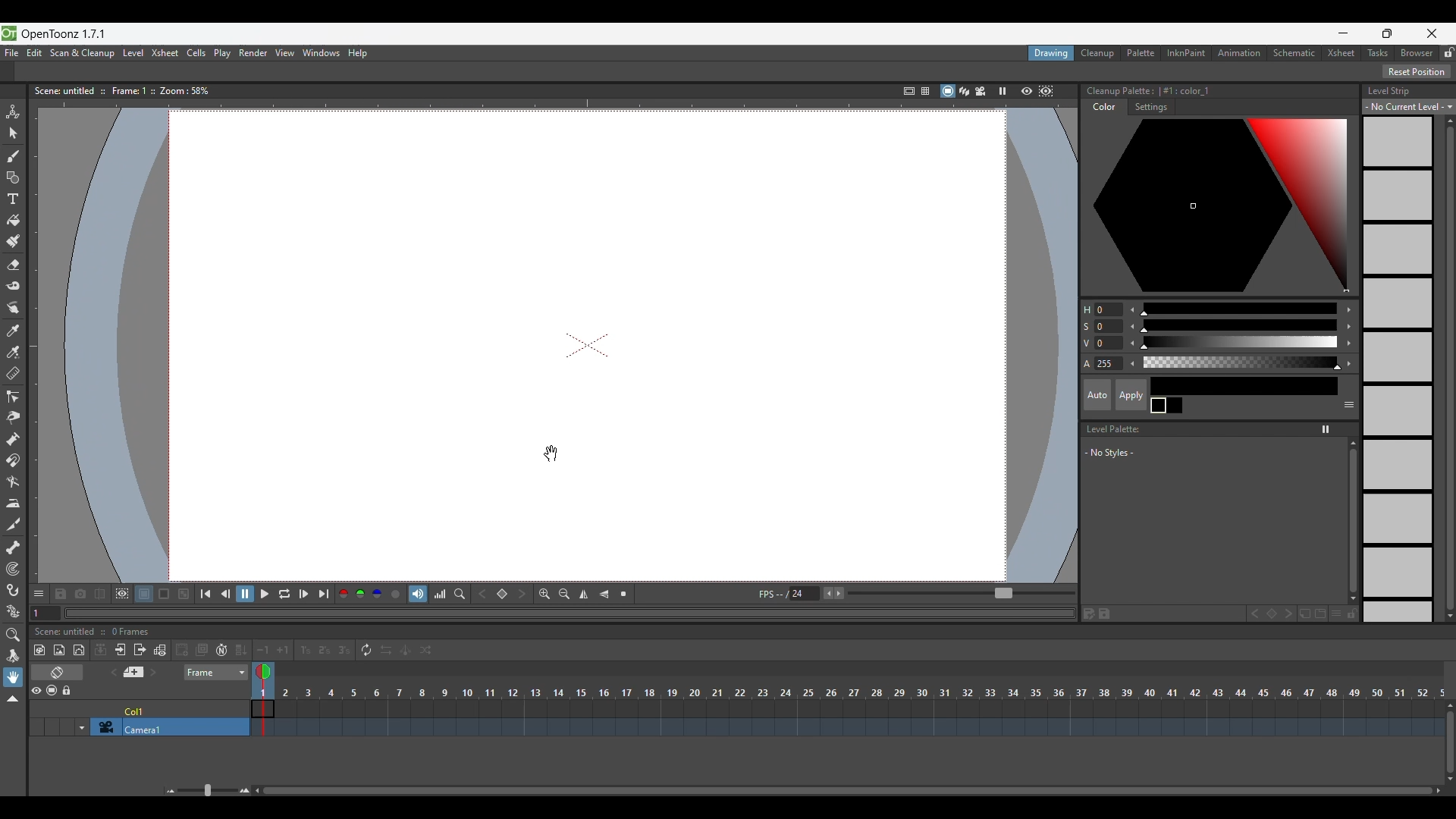  Describe the element at coordinates (1431, 33) in the screenshot. I see `Close interface` at that location.